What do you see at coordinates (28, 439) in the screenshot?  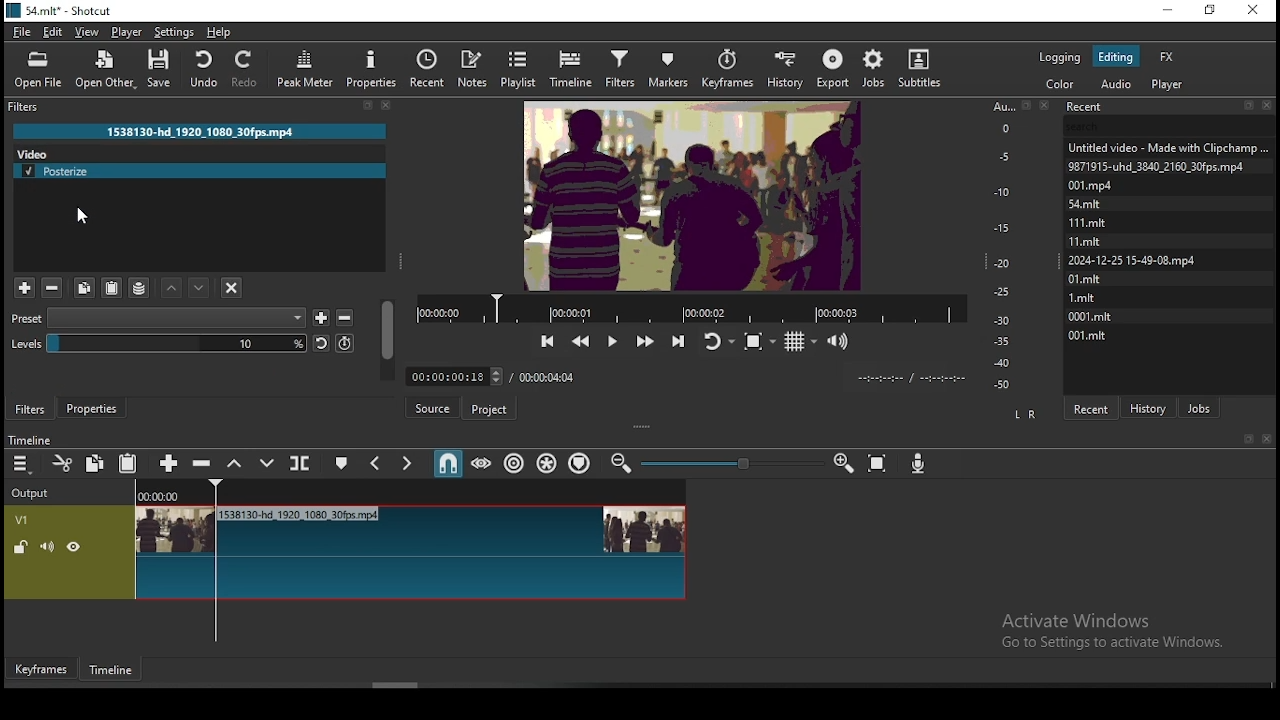 I see `timeline` at bounding box center [28, 439].